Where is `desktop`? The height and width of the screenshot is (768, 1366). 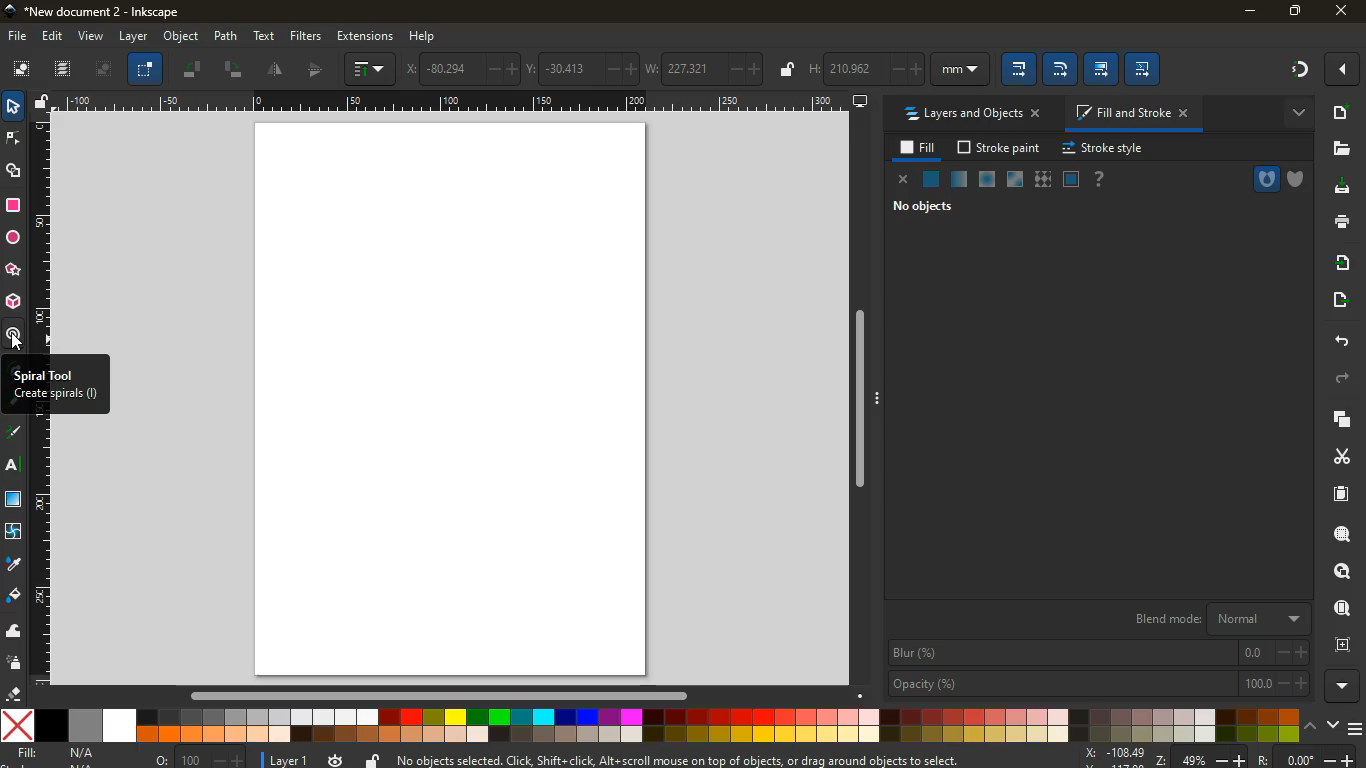
desktop is located at coordinates (860, 103).